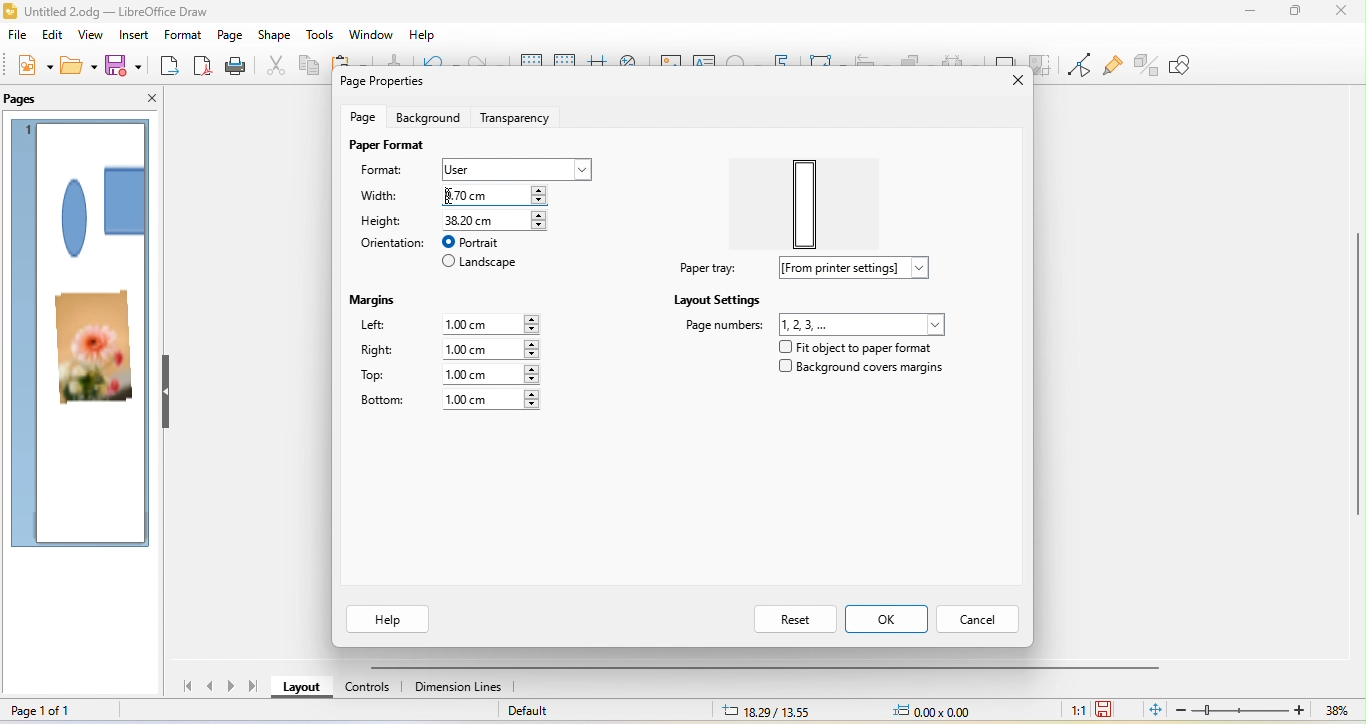 This screenshot has height=724, width=1366. I want to click on undo, so click(443, 62).